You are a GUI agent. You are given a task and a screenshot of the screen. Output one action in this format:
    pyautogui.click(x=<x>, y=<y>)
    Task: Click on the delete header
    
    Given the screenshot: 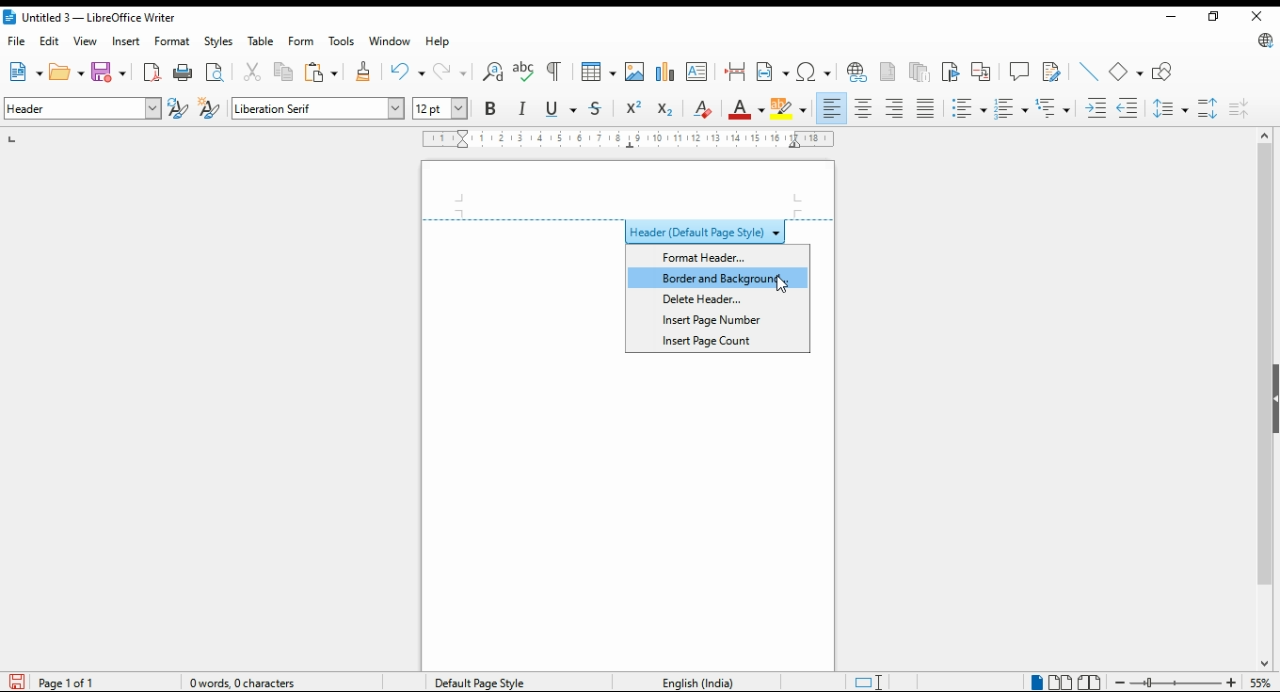 What is the action you would take?
    pyautogui.click(x=715, y=298)
    